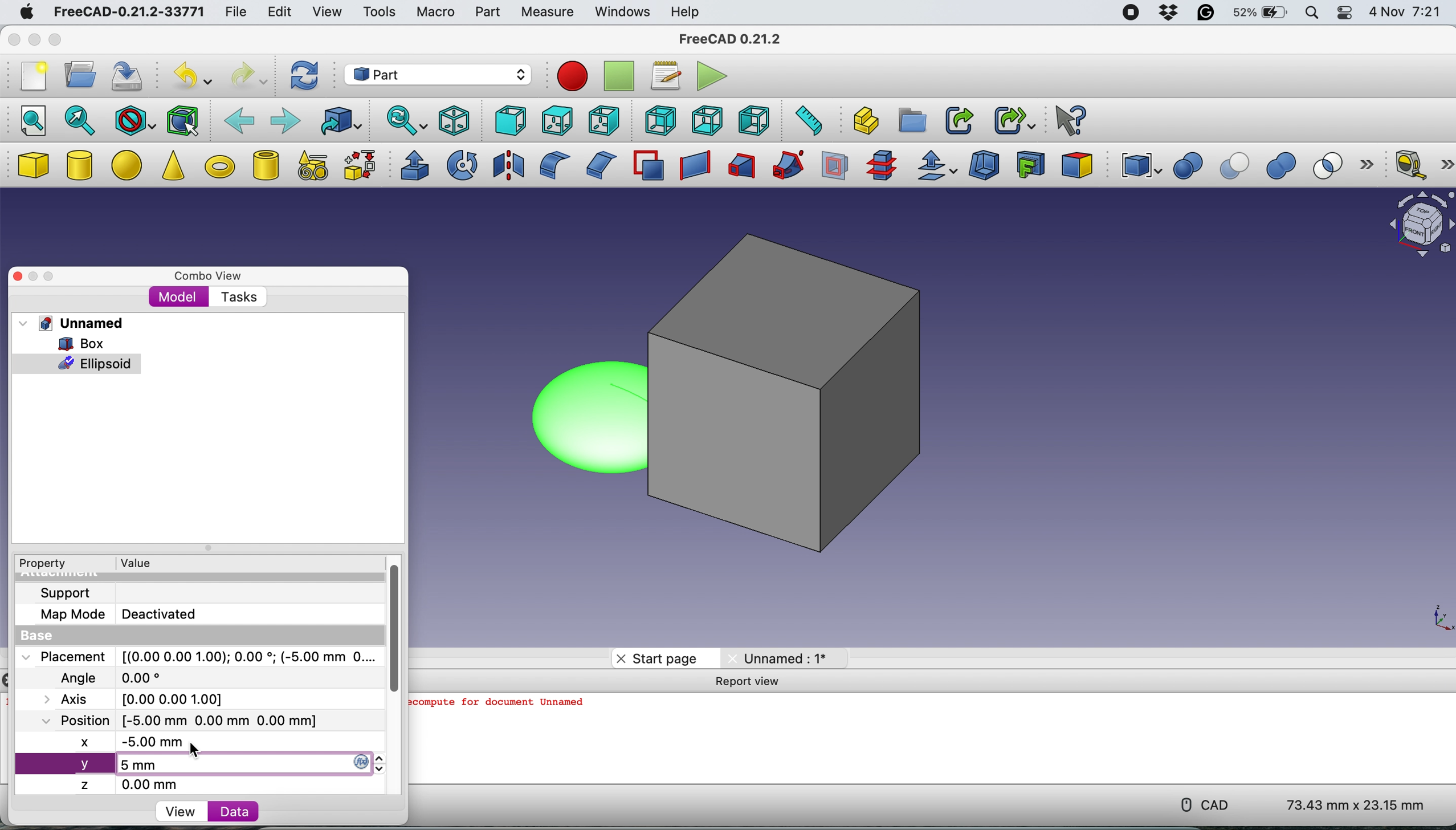 The width and height of the screenshot is (1456, 830). I want to click on mirroring, so click(509, 164).